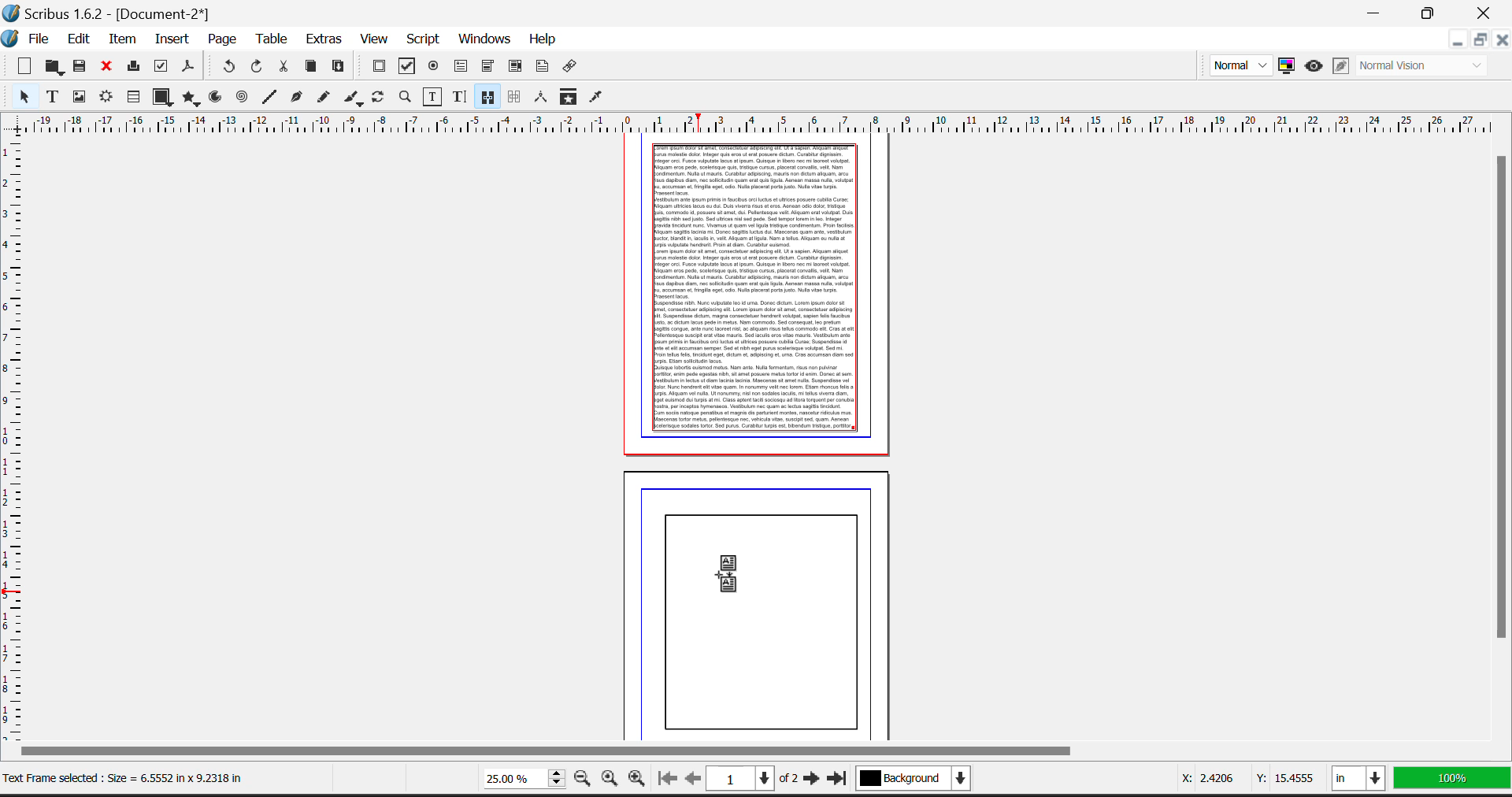 This screenshot has height=797, width=1512. Describe the element at coordinates (312, 68) in the screenshot. I see `Copy` at that location.